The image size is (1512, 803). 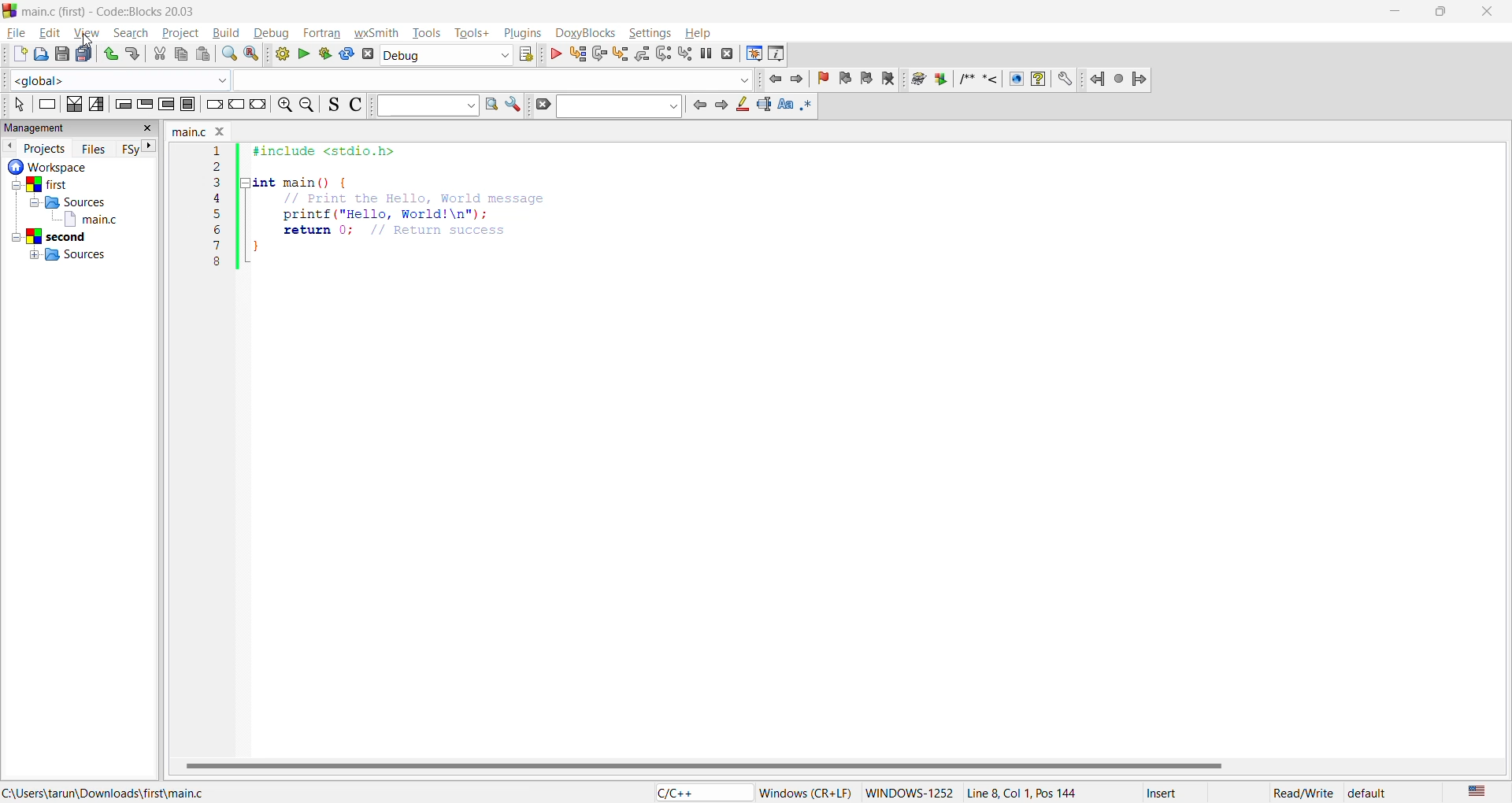 I want to click on app name and file name, so click(x=109, y=11).